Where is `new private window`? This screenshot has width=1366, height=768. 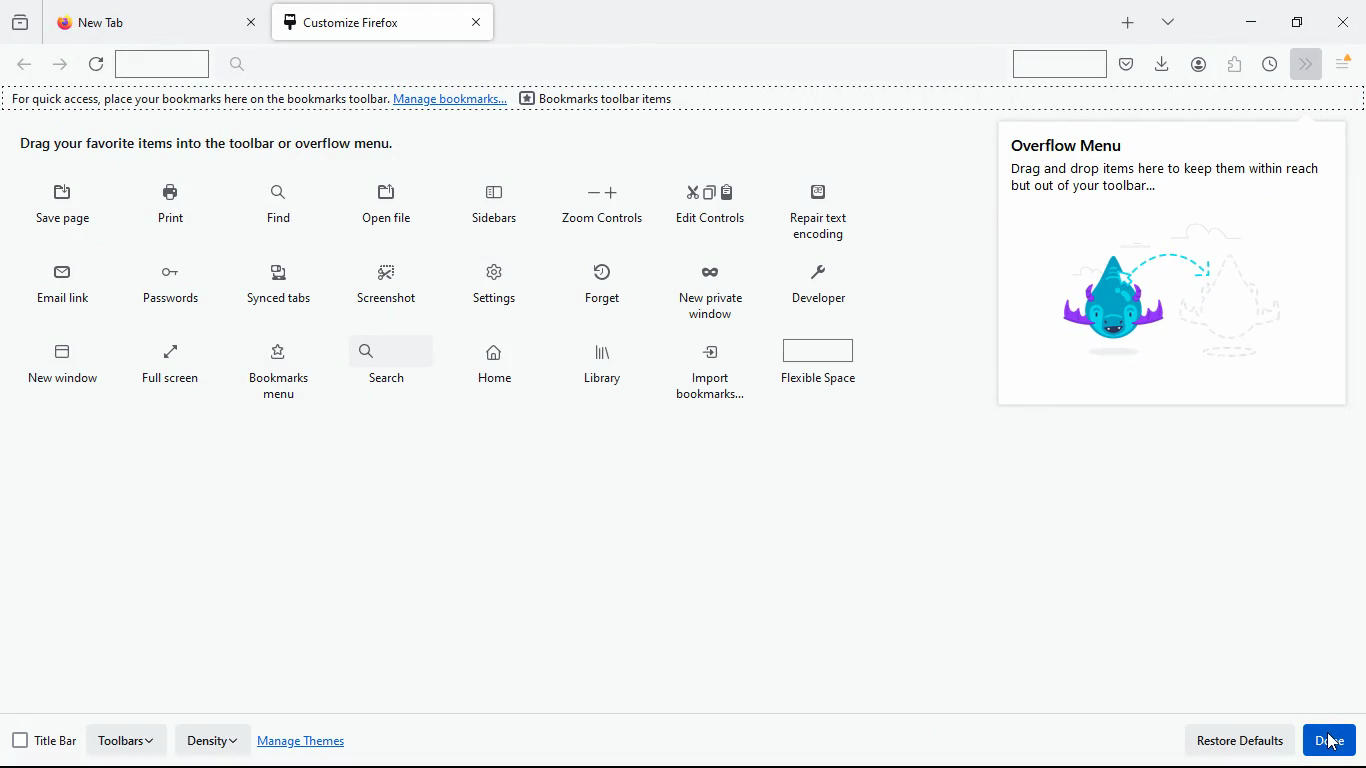 new private window is located at coordinates (828, 292).